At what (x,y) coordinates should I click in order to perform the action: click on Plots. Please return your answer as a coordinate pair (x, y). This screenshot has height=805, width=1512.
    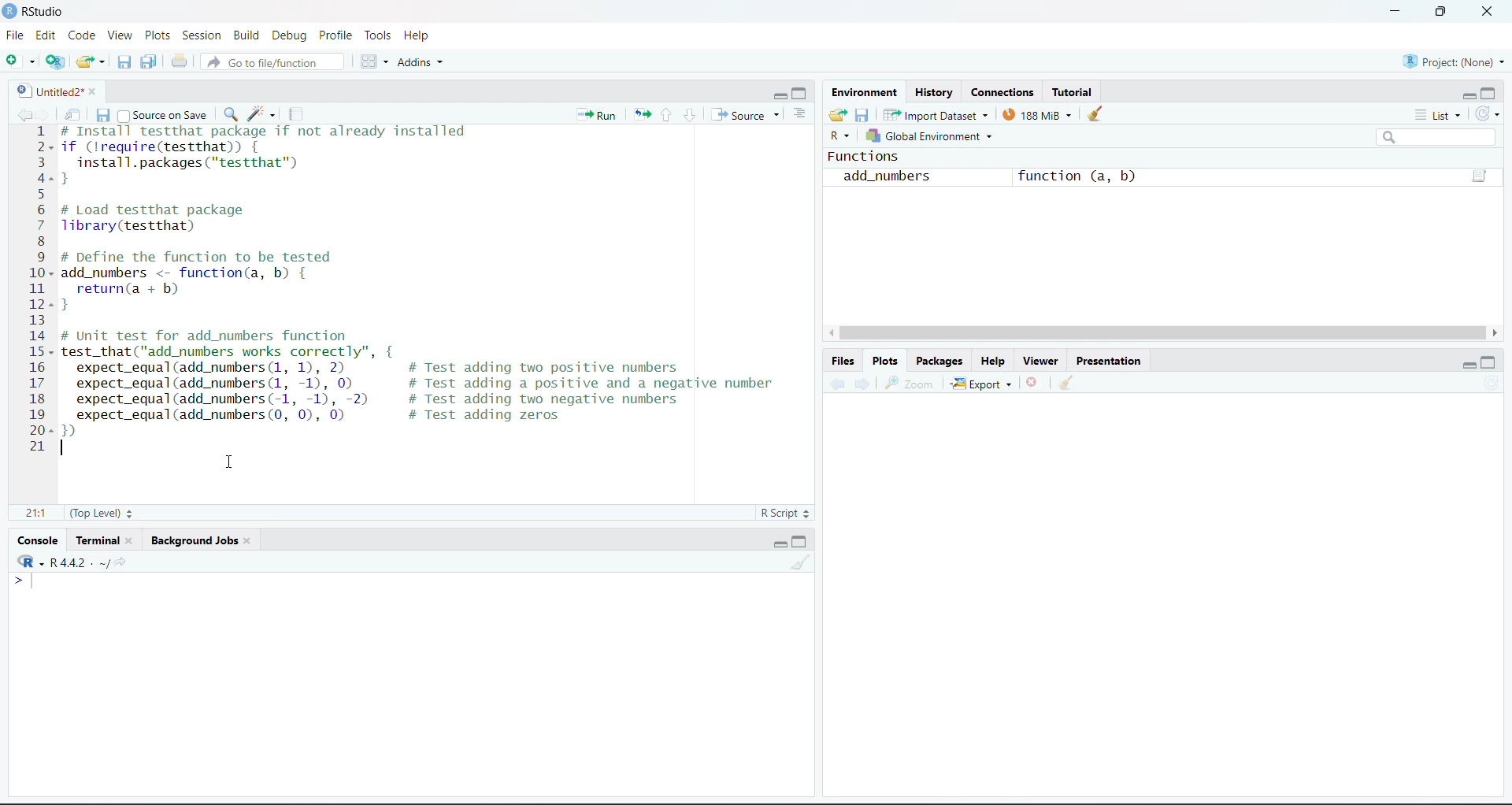
    Looking at the image, I should click on (159, 35).